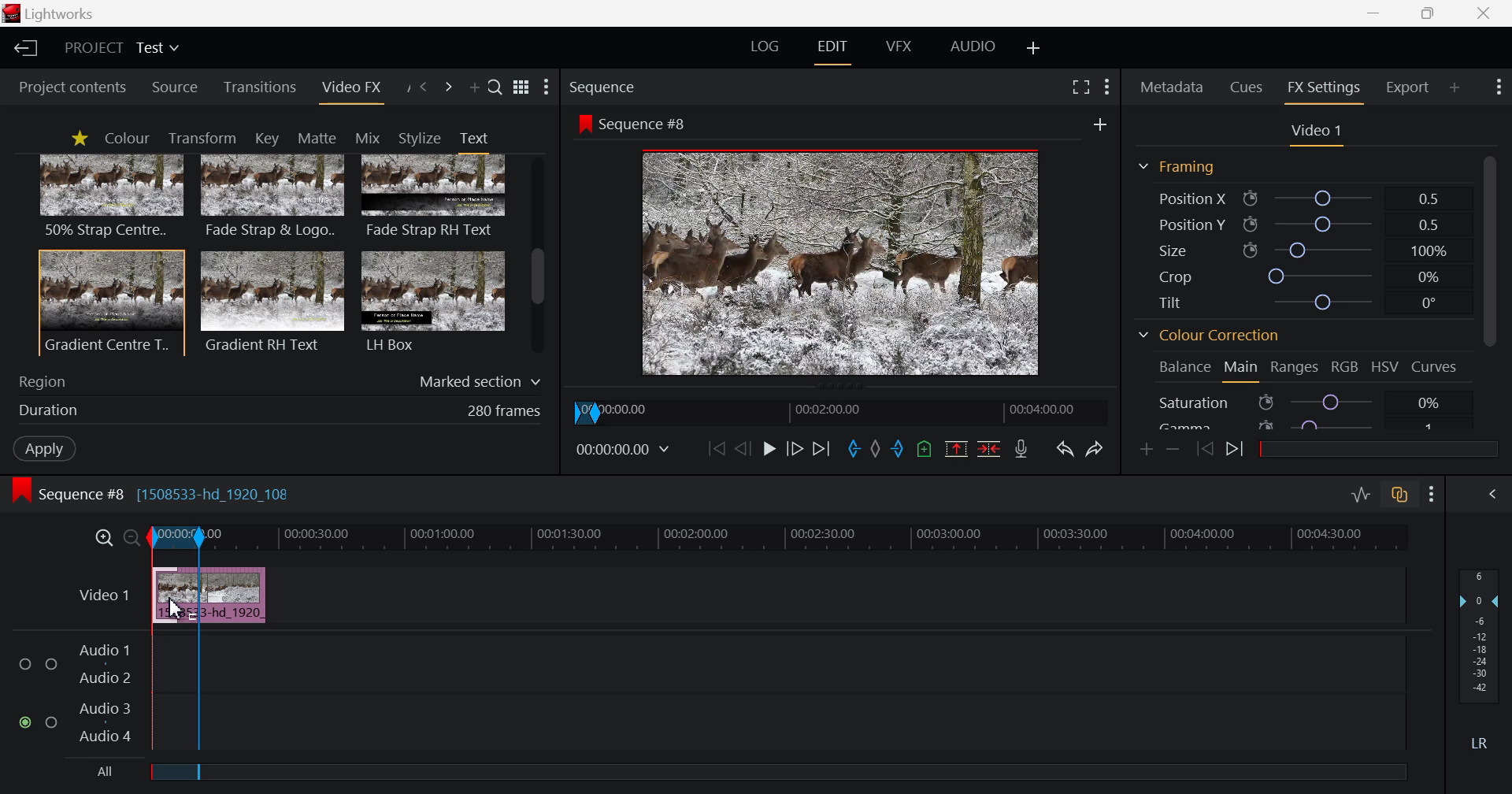 The height and width of the screenshot is (794, 1512). I want to click on AUDIO Layout, so click(978, 45).